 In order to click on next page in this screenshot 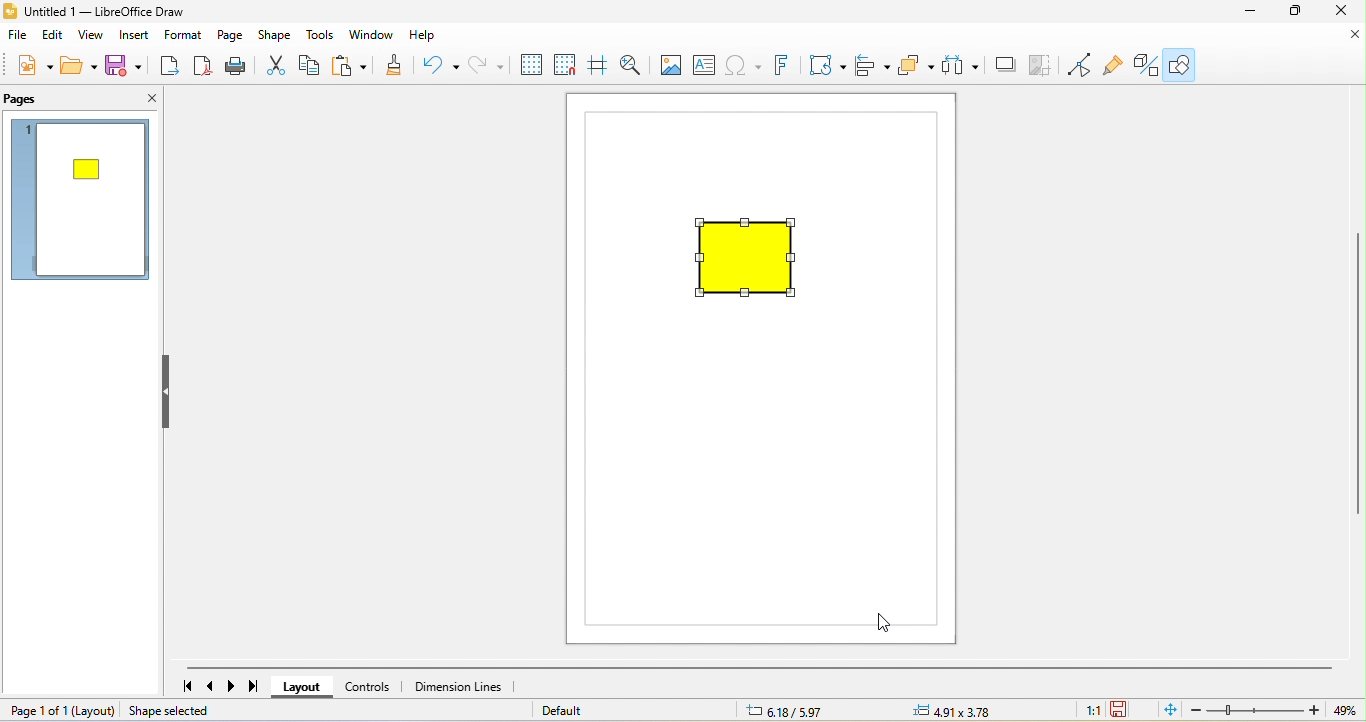, I will do `click(235, 686)`.